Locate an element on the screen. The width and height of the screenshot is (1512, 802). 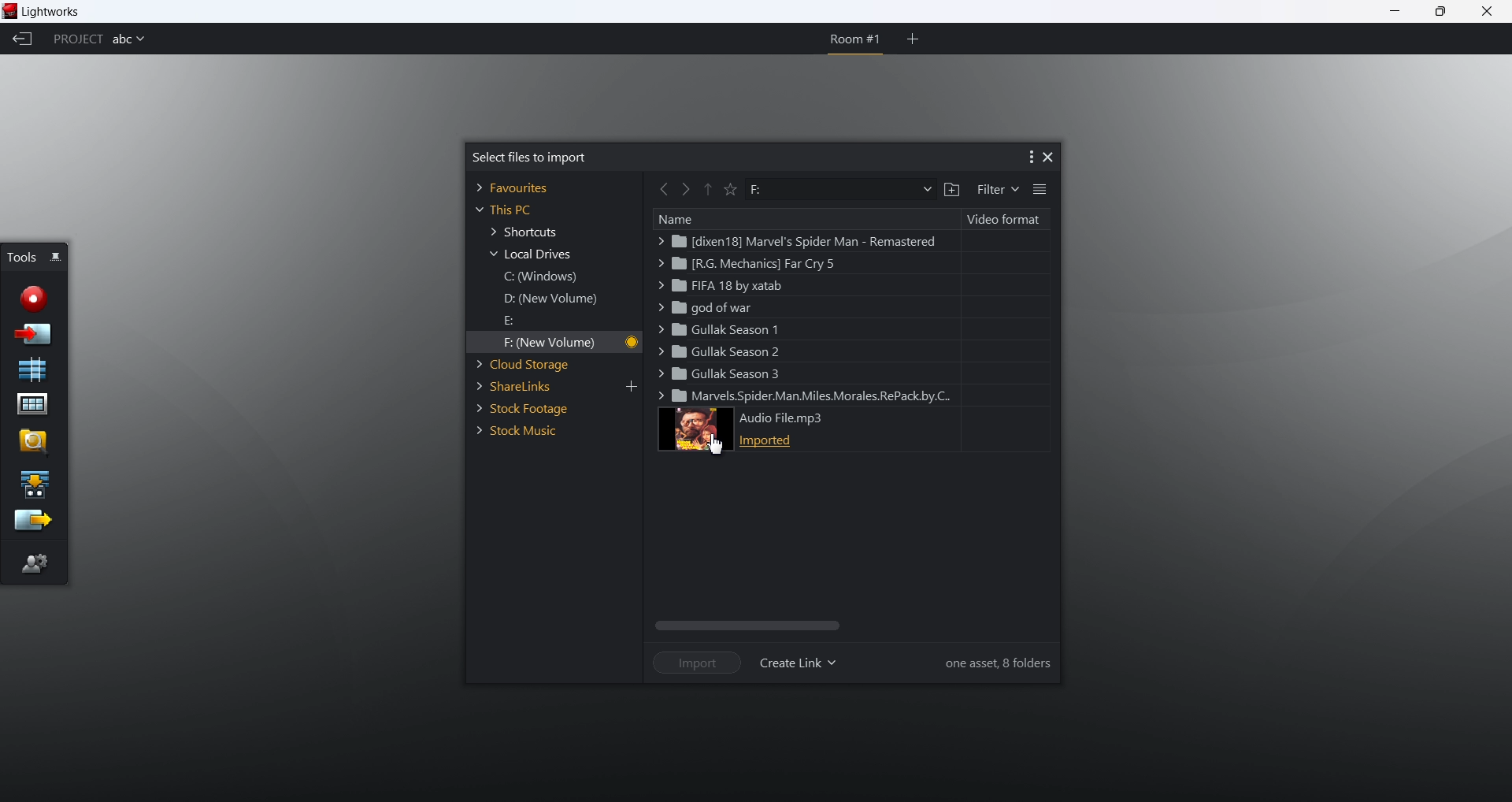
gullak season 3 is located at coordinates (717, 375).